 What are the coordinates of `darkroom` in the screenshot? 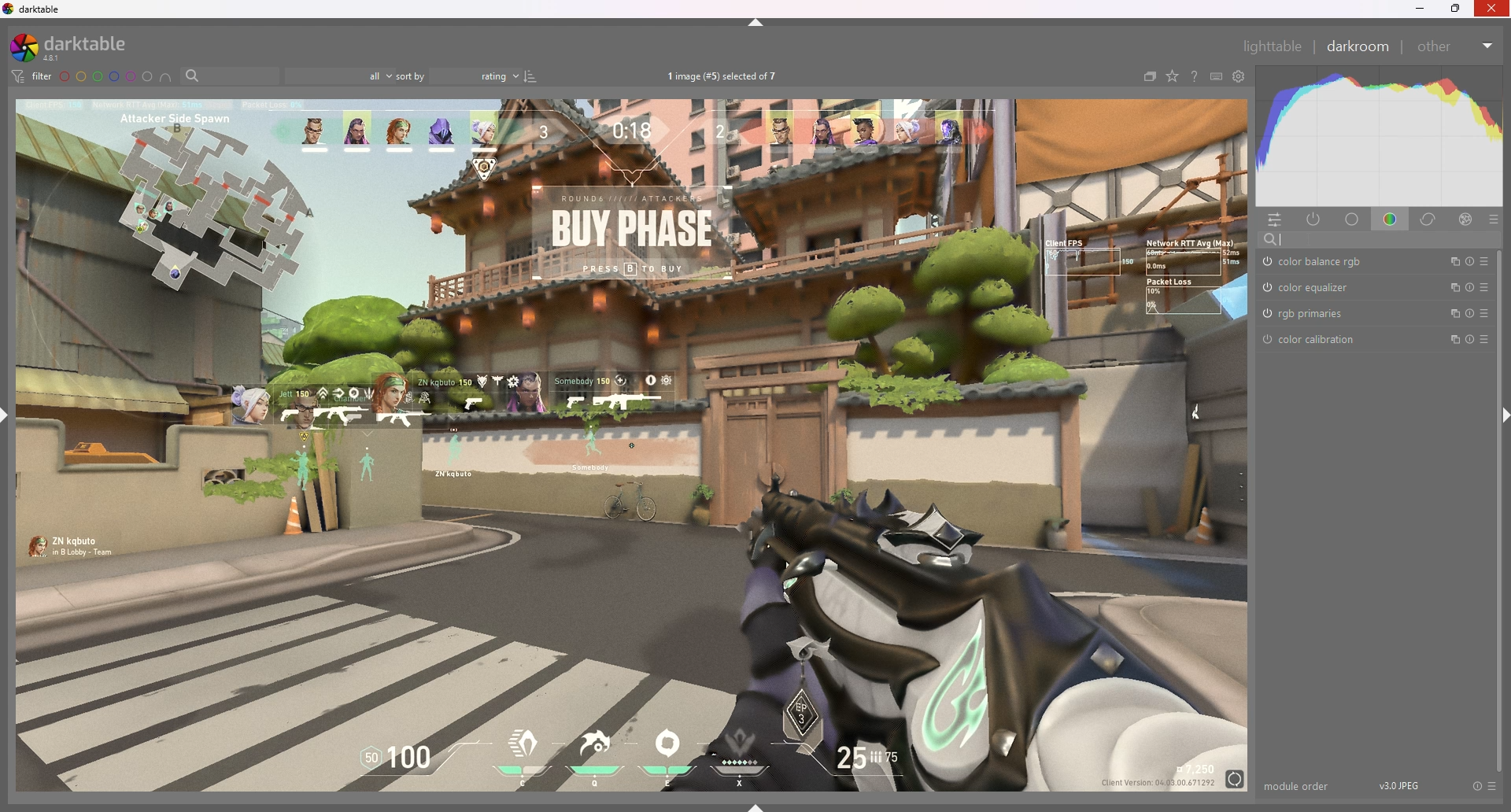 It's located at (1357, 46).